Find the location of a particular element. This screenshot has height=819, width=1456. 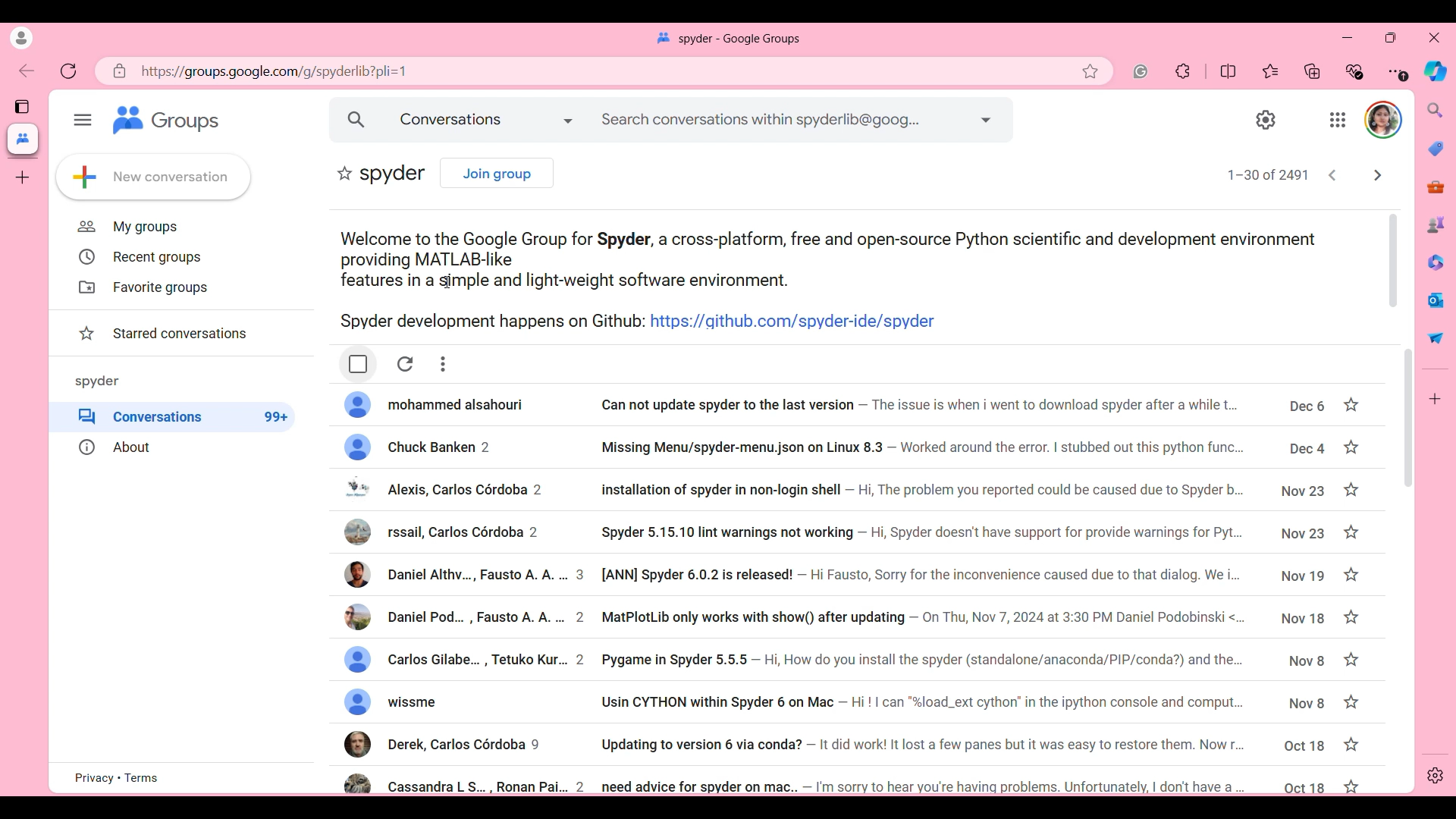

Current account is located at coordinates (1384, 120).